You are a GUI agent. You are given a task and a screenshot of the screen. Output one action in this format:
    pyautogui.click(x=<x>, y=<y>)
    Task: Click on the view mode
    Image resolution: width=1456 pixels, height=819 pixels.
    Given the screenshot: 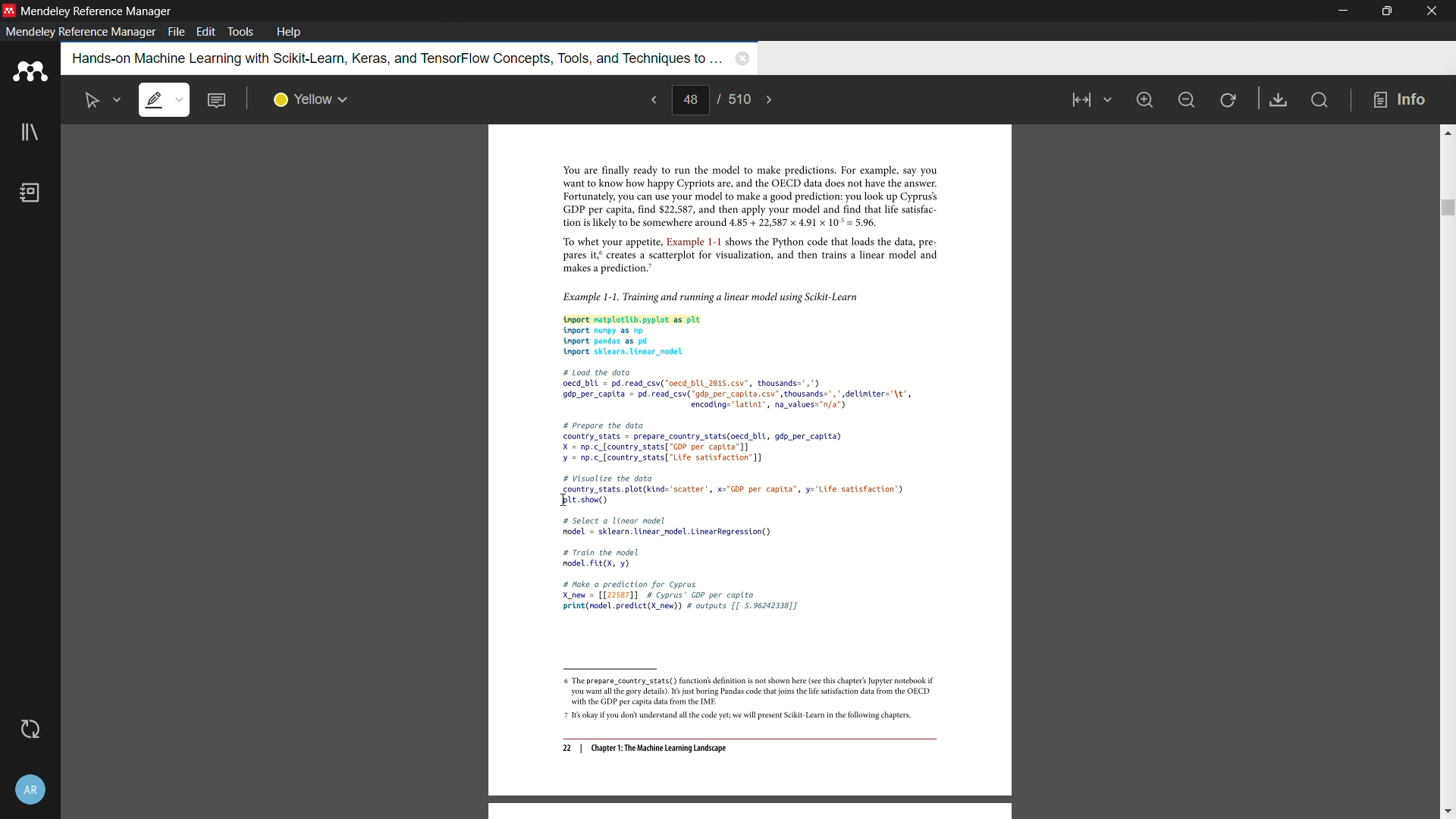 What is the action you would take?
    pyautogui.click(x=1089, y=100)
    